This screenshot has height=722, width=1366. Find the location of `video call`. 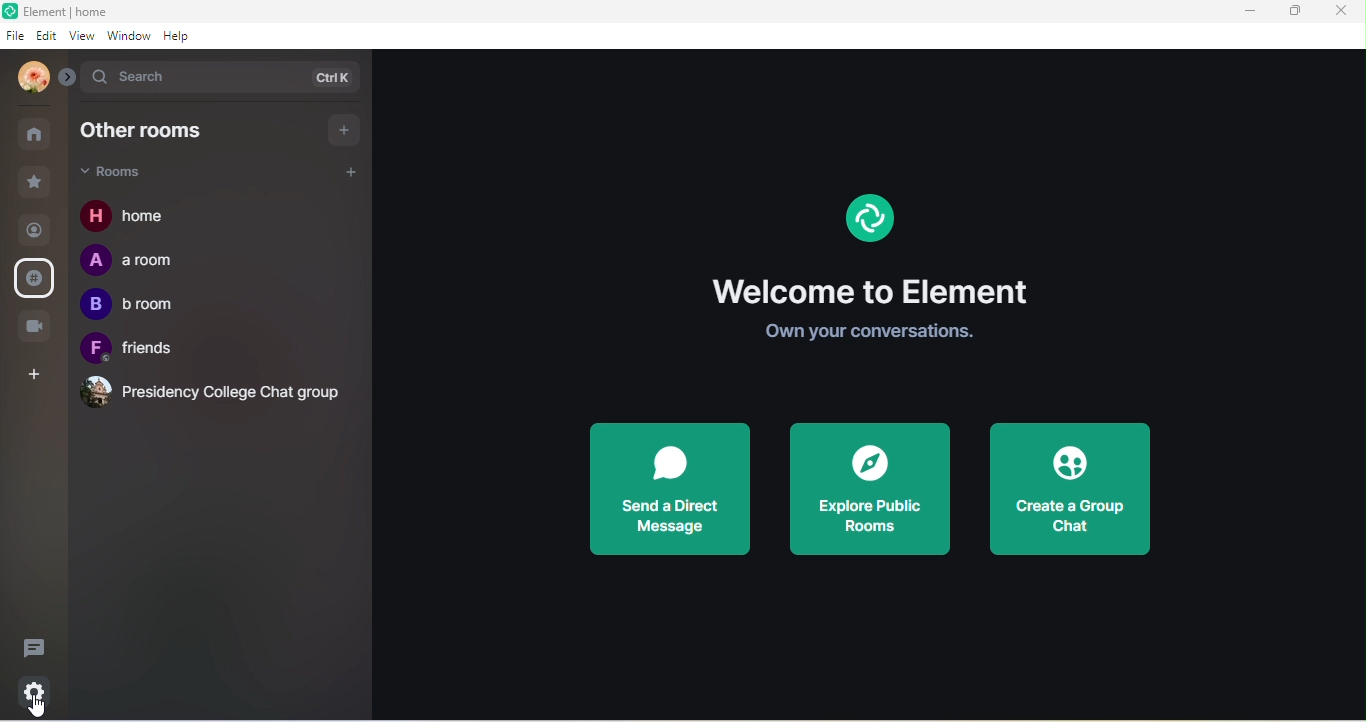

video call is located at coordinates (37, 325).